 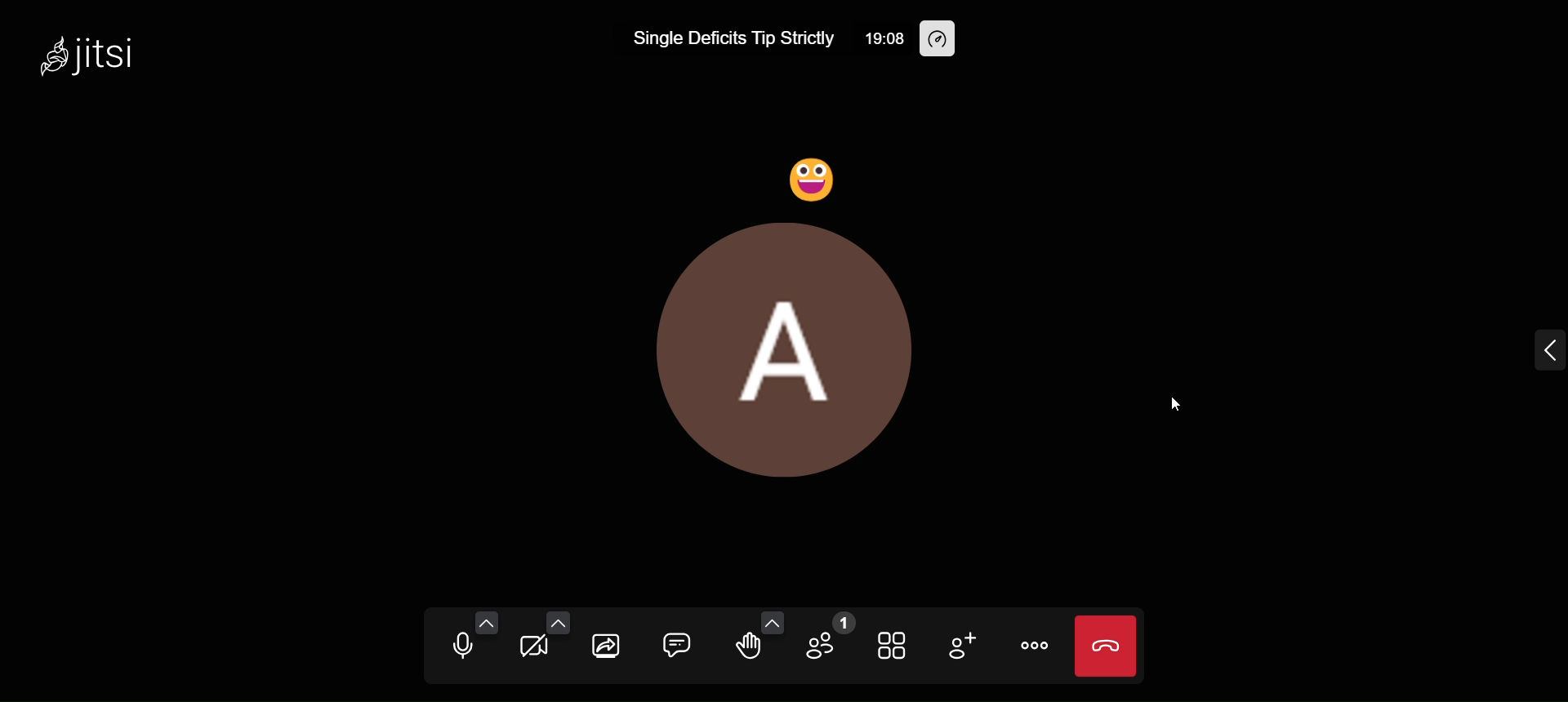 What do you see at coordinates (677, 643) in the screenshot?
I see `open chat` at bounding box center [677, 643].